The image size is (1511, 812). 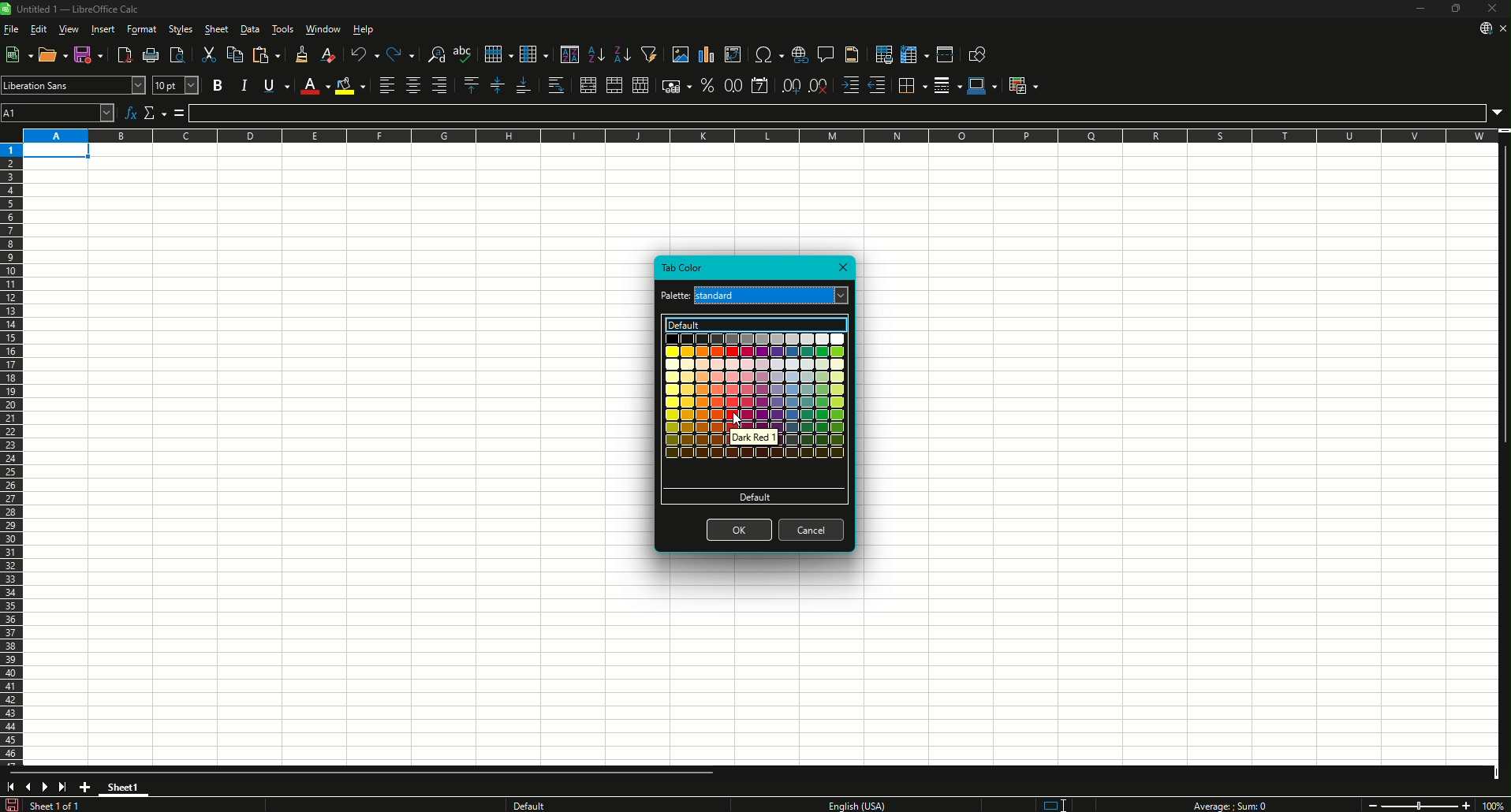 I want to click on Insert Hyperlink, so click(x=800, y=54).